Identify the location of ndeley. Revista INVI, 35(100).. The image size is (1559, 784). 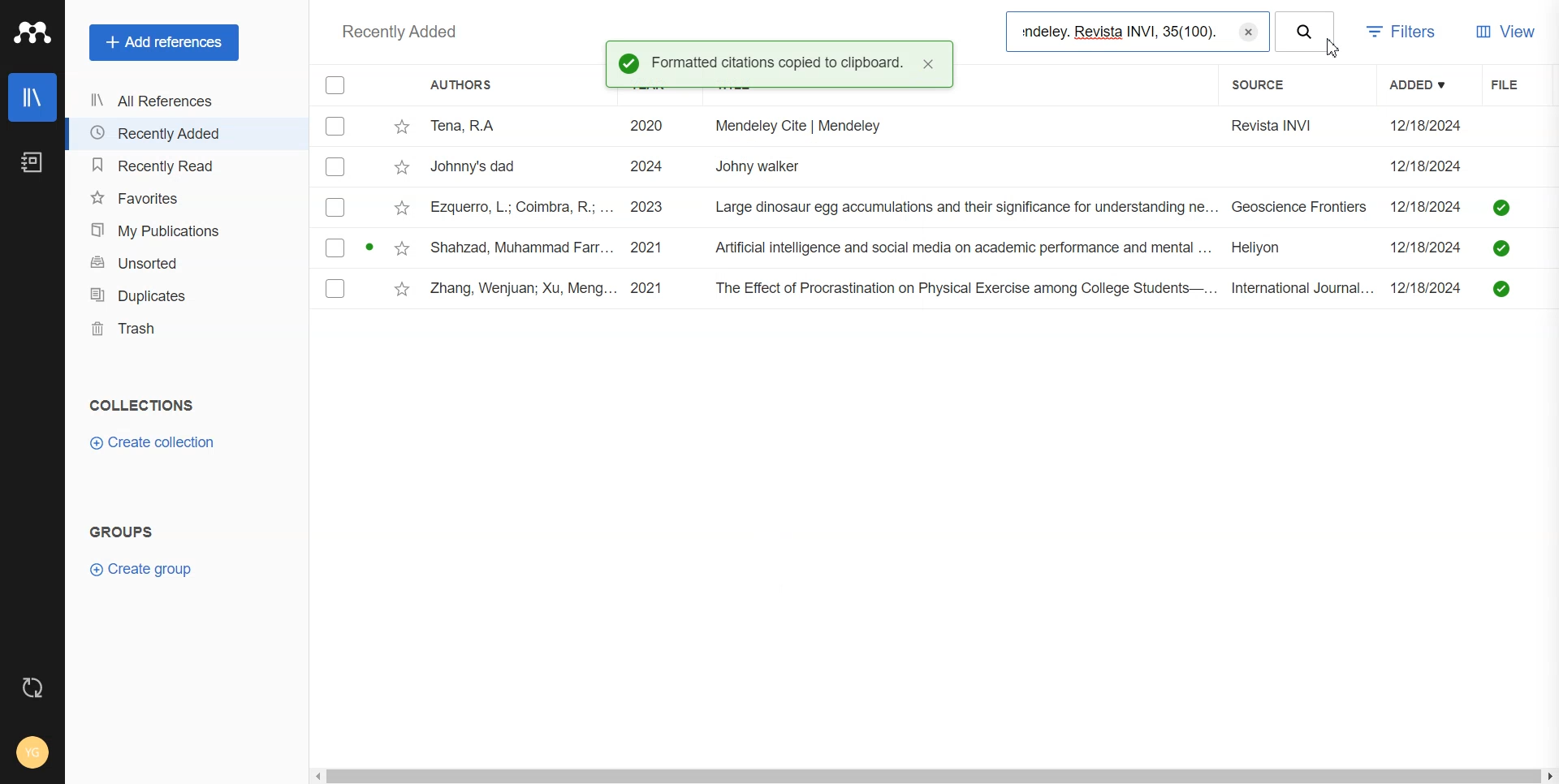
(1119, 32).